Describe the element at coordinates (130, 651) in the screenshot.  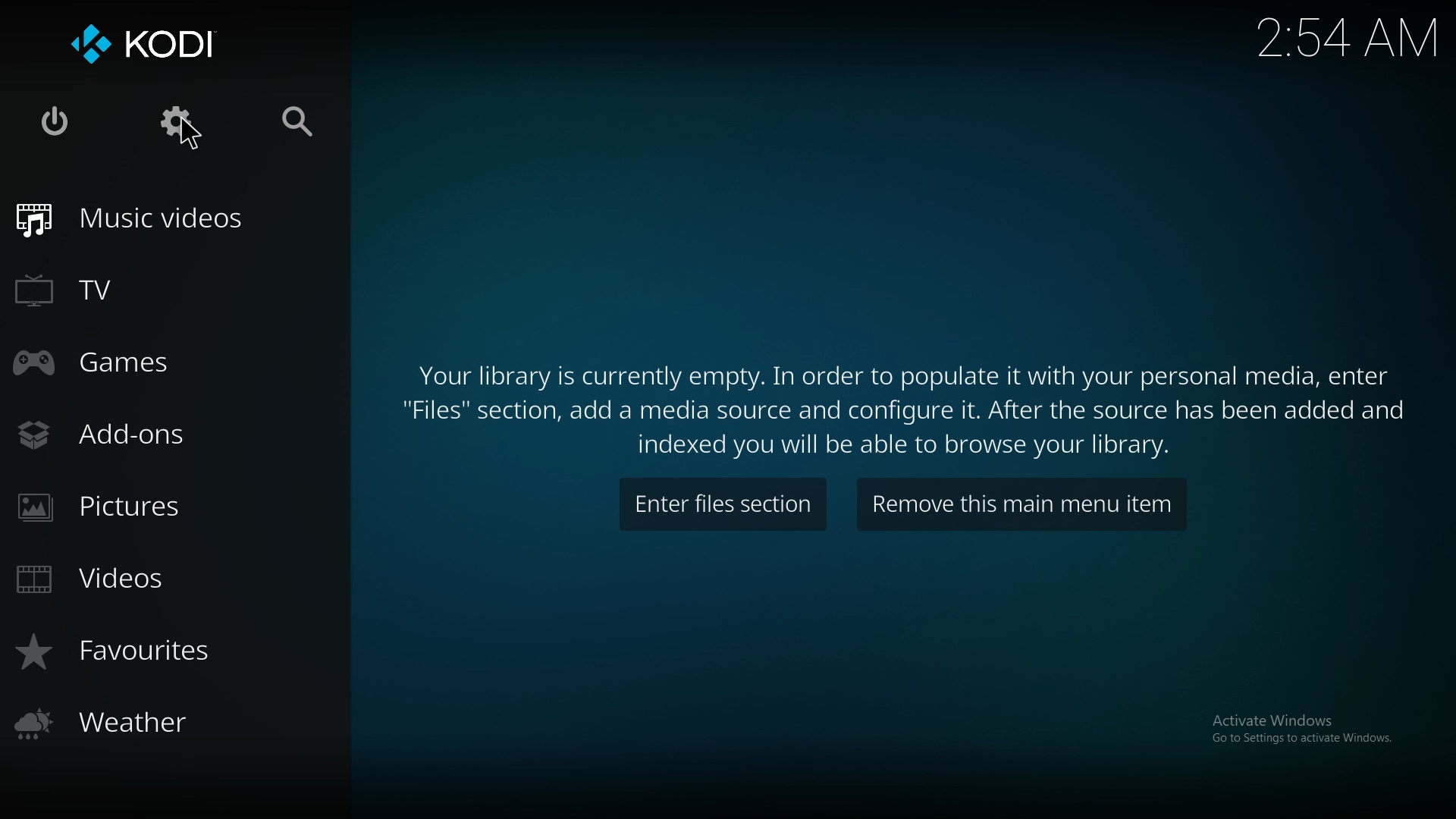
I see `favourites` at that location.